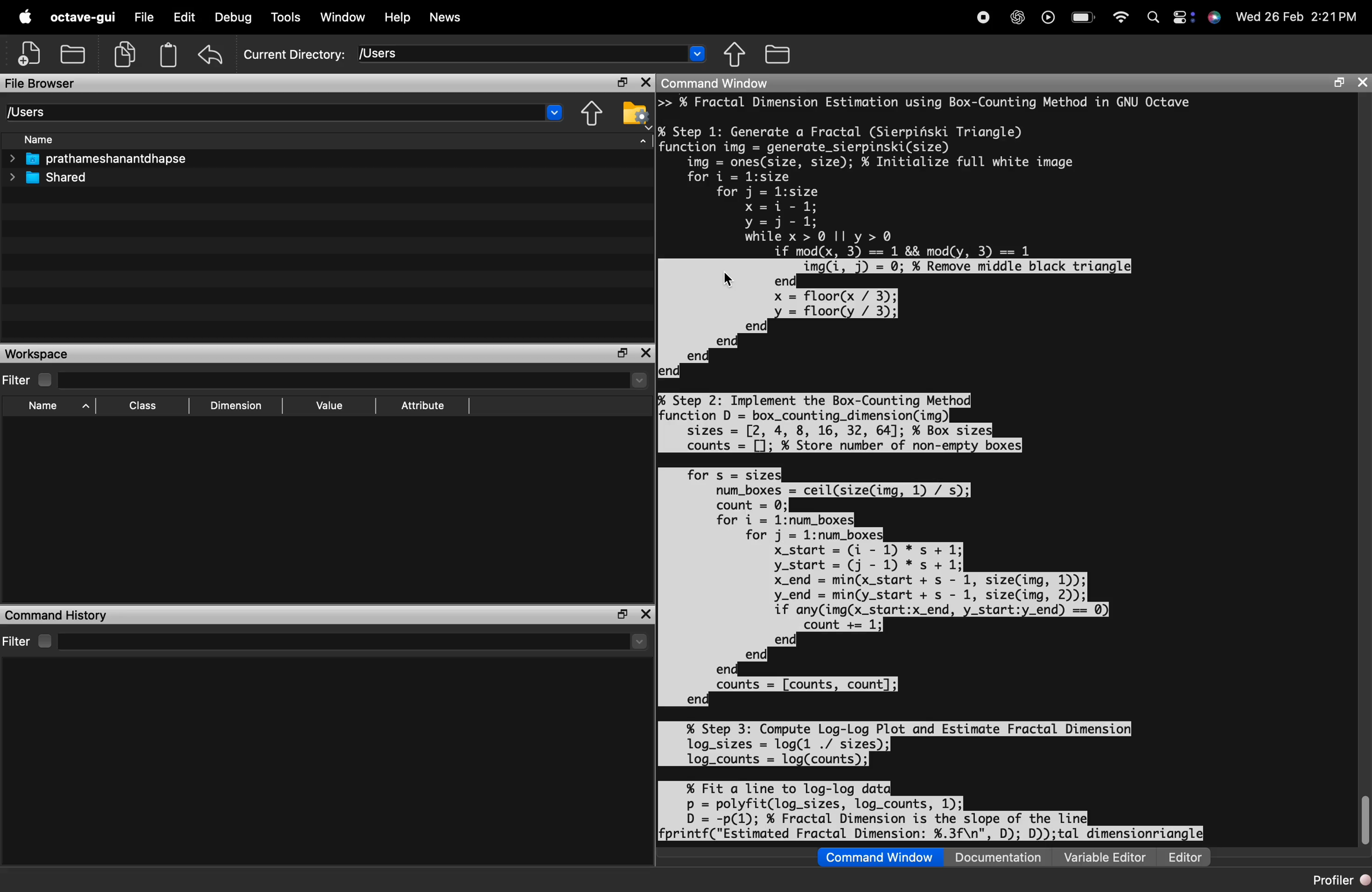  Describe the element at coordinates (337, 379) in the screenshot. I see `filter input field` at that location.